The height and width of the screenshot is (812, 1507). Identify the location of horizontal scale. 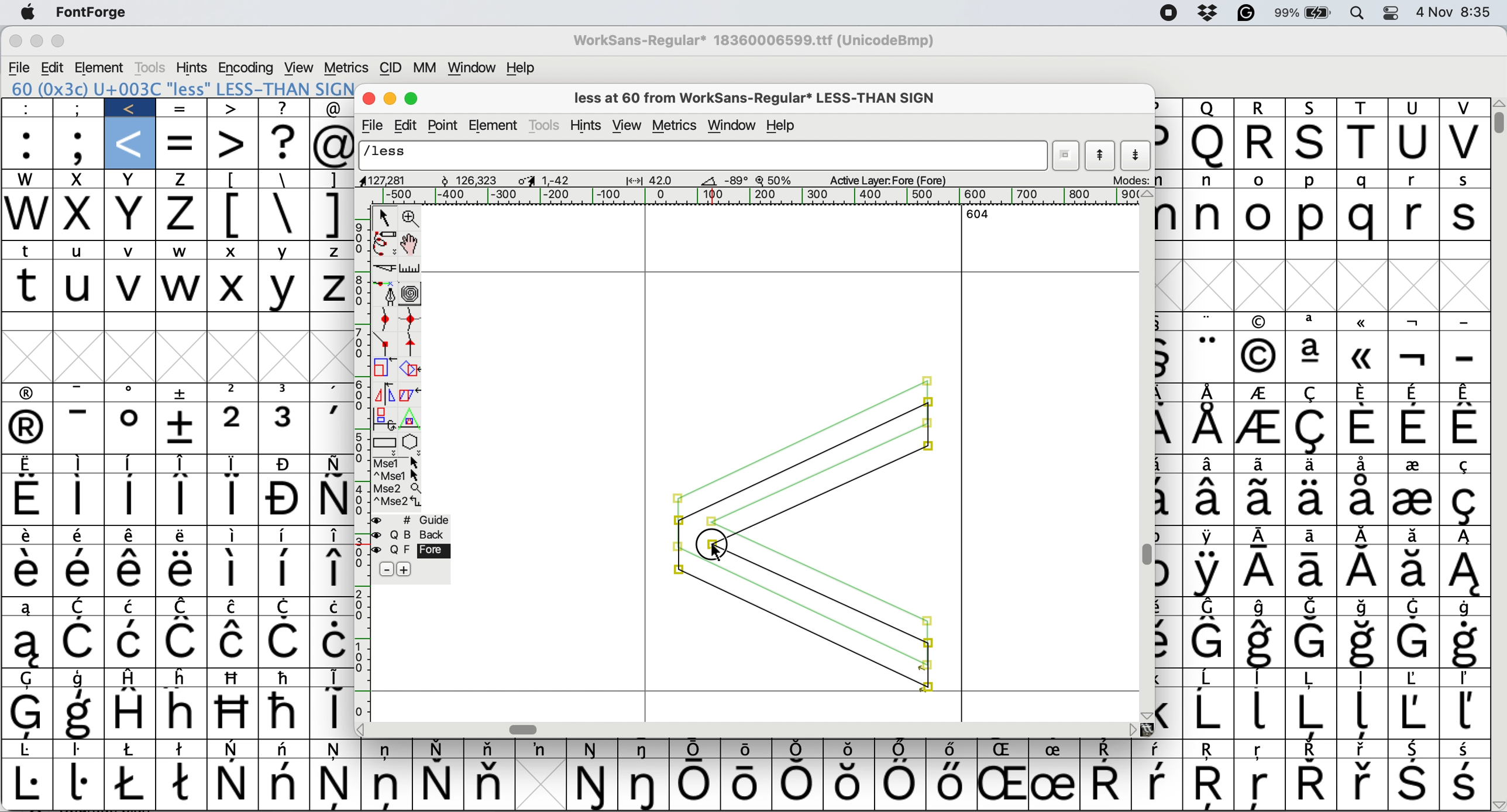
(747, 196).